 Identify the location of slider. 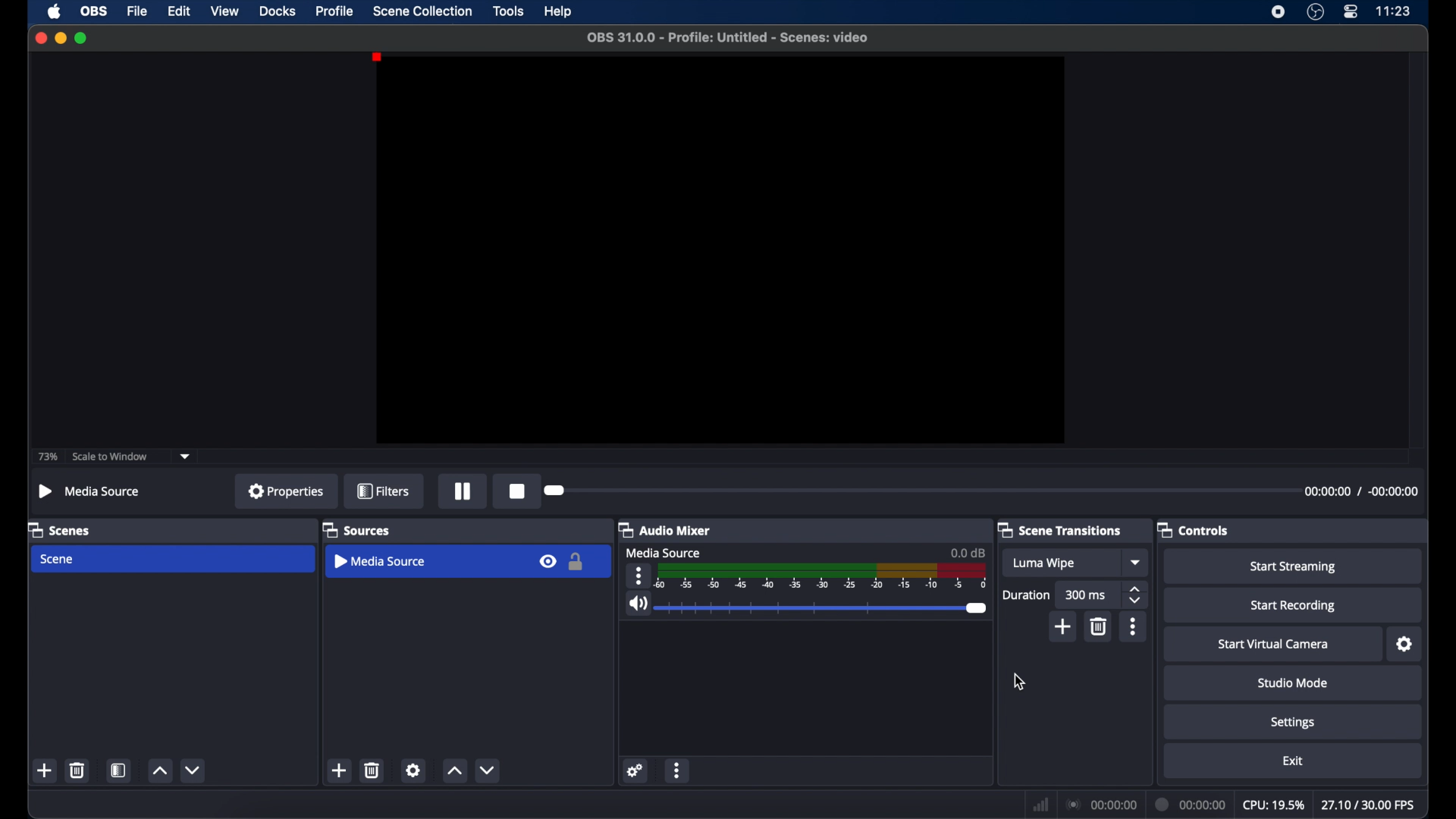
(824, 608).